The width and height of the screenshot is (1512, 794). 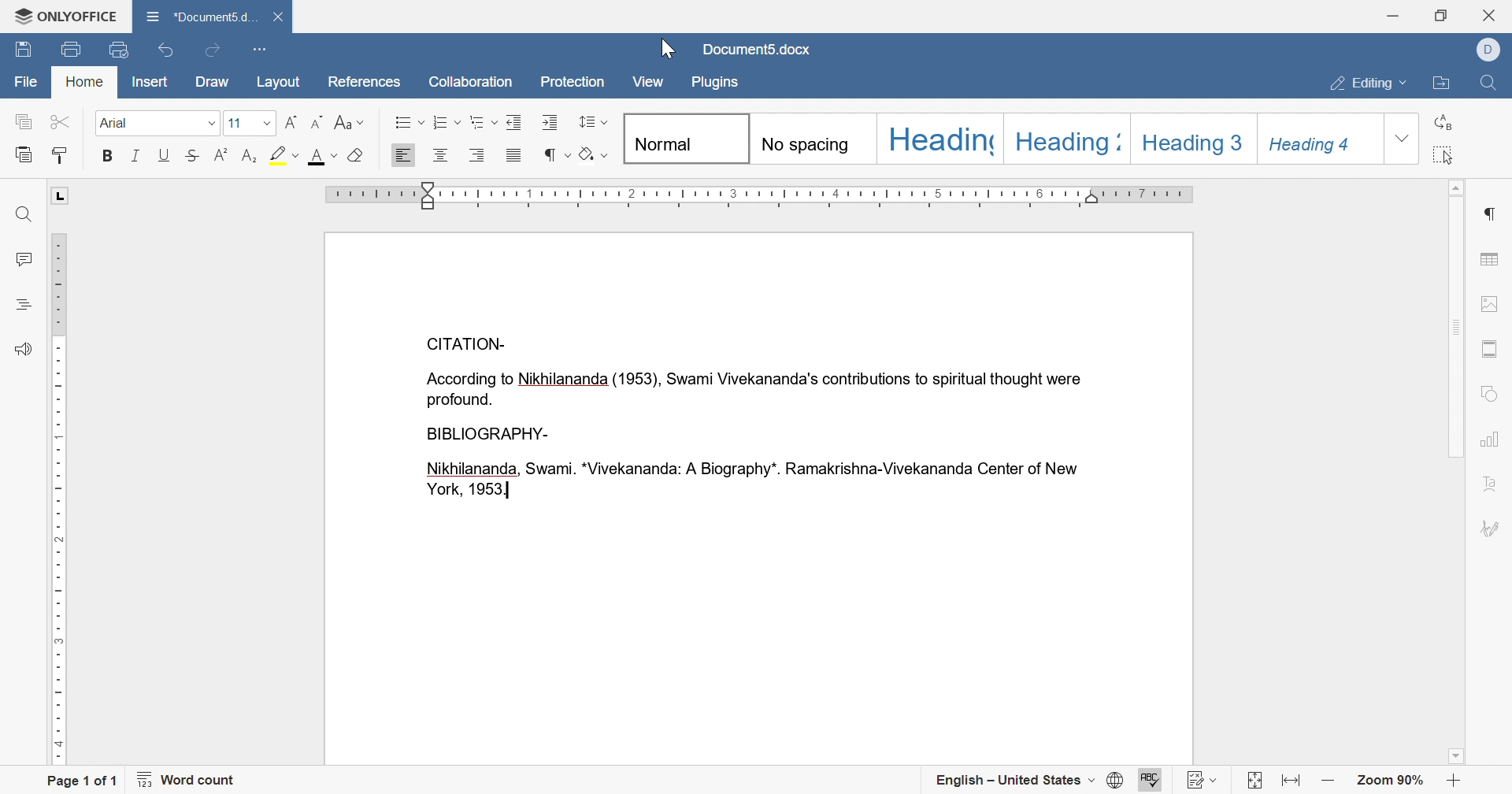 What do you see at coordinates (1456, 781) in the screenshot?
I see `zoom in` at bounding box center [1456, 781].